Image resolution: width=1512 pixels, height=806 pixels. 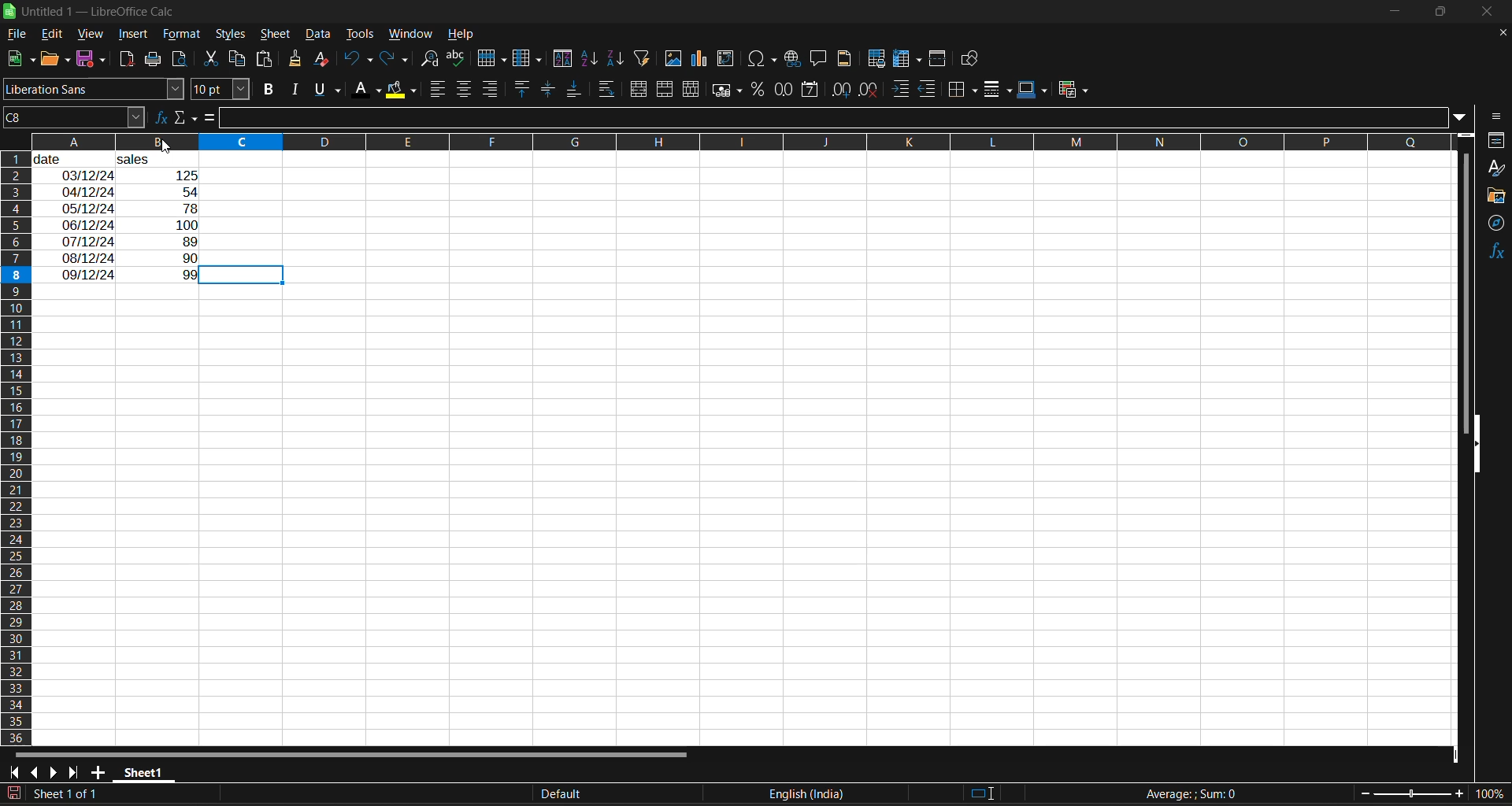 What do you see at coordinates (726, 58) in the screenshot?
I see `insert or edit pivot table` at bounding box center [726, 58].